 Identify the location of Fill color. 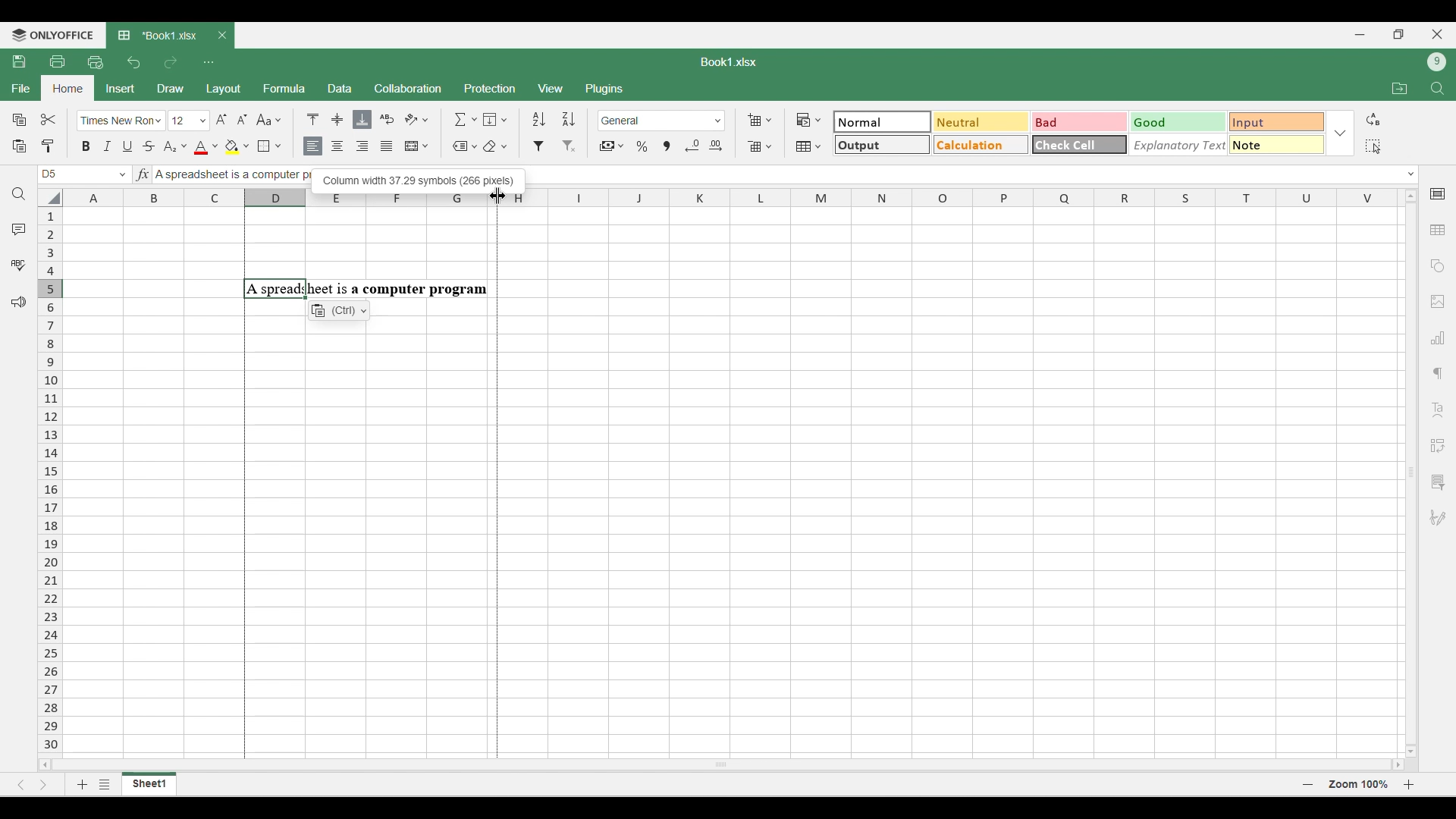
(237, 147).